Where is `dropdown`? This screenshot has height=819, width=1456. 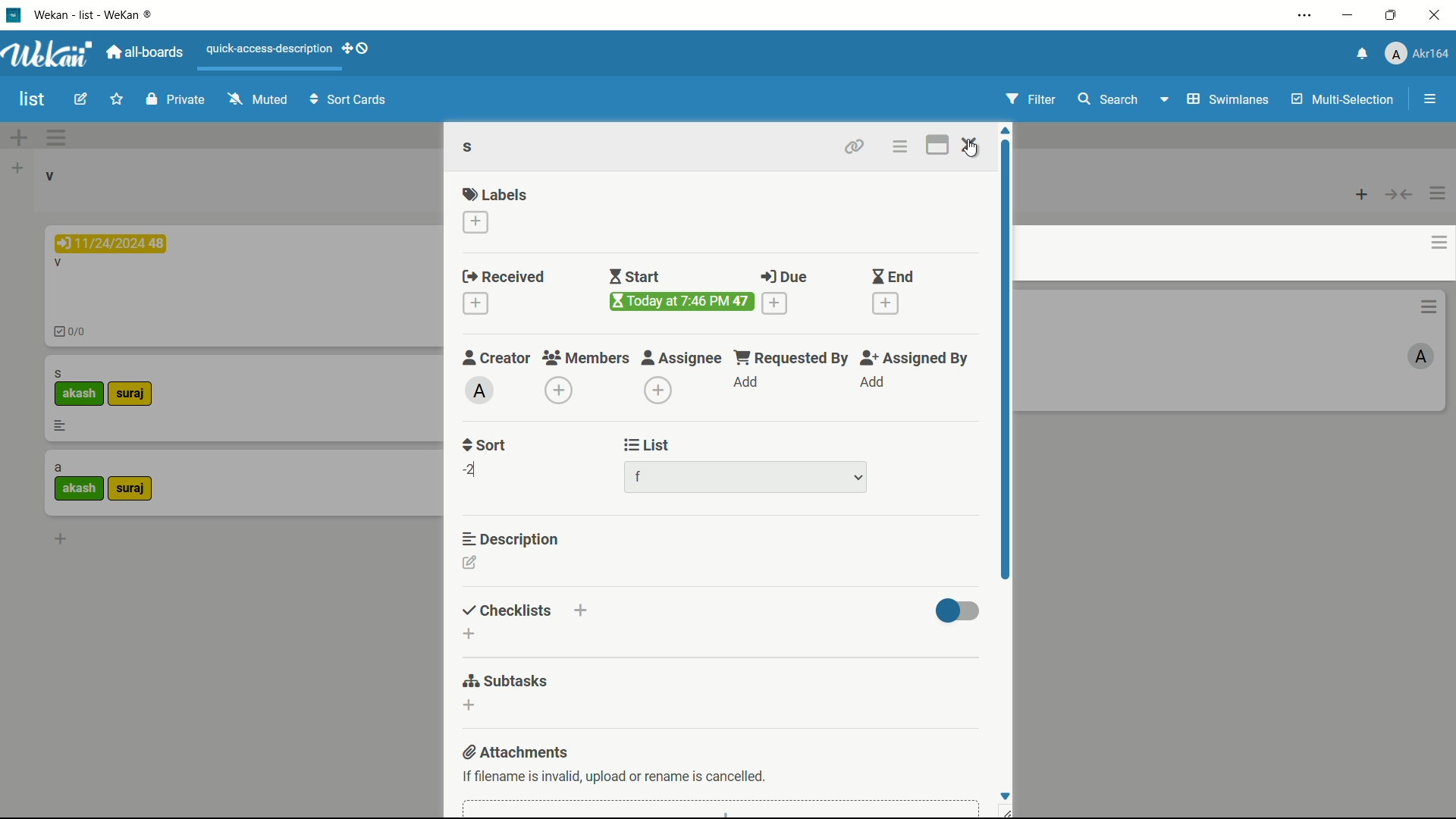
dropdown is located at coordinates (859, 479).